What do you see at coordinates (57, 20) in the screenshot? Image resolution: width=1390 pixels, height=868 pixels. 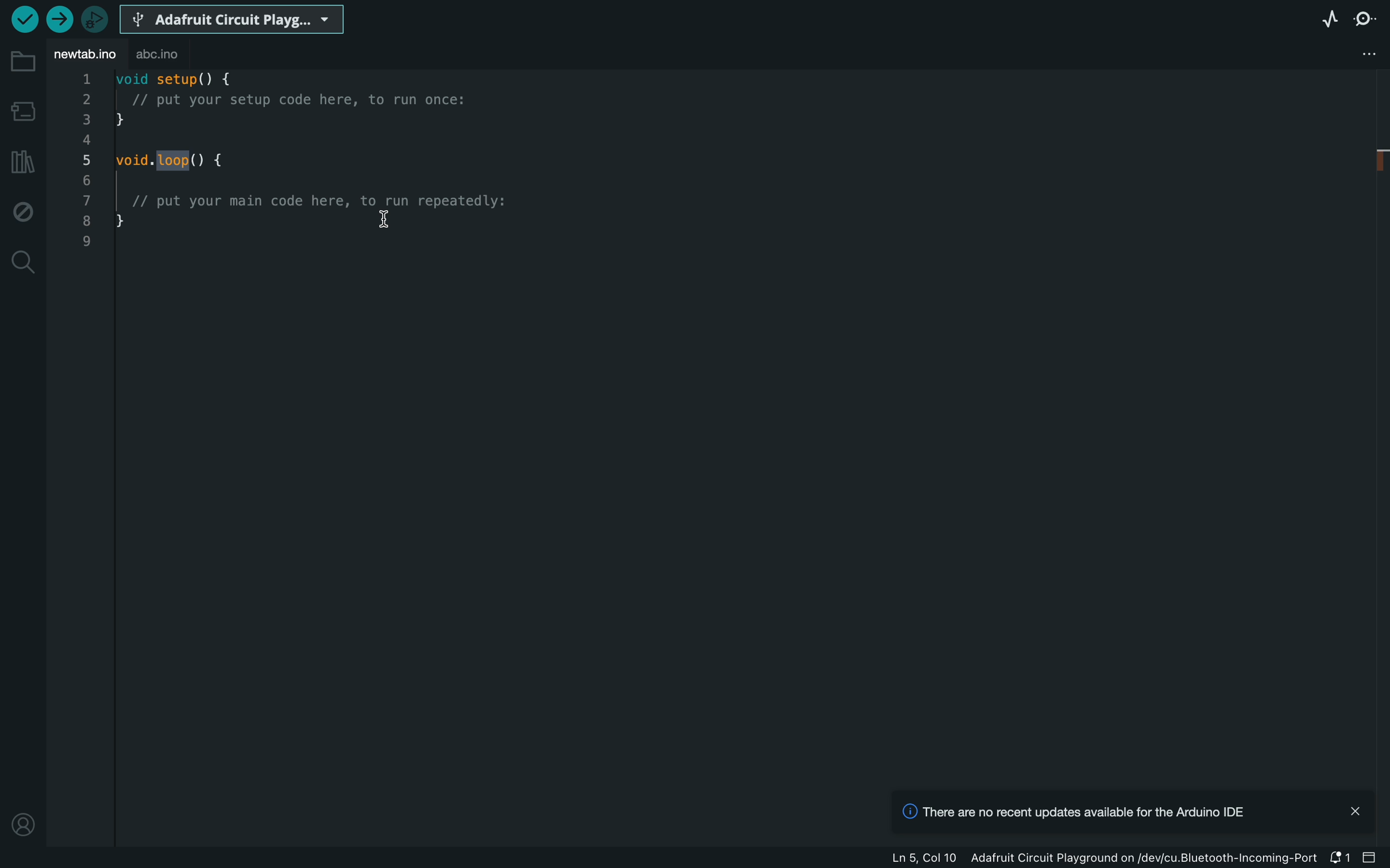 I see `upload` at bounding box center [57, 20].